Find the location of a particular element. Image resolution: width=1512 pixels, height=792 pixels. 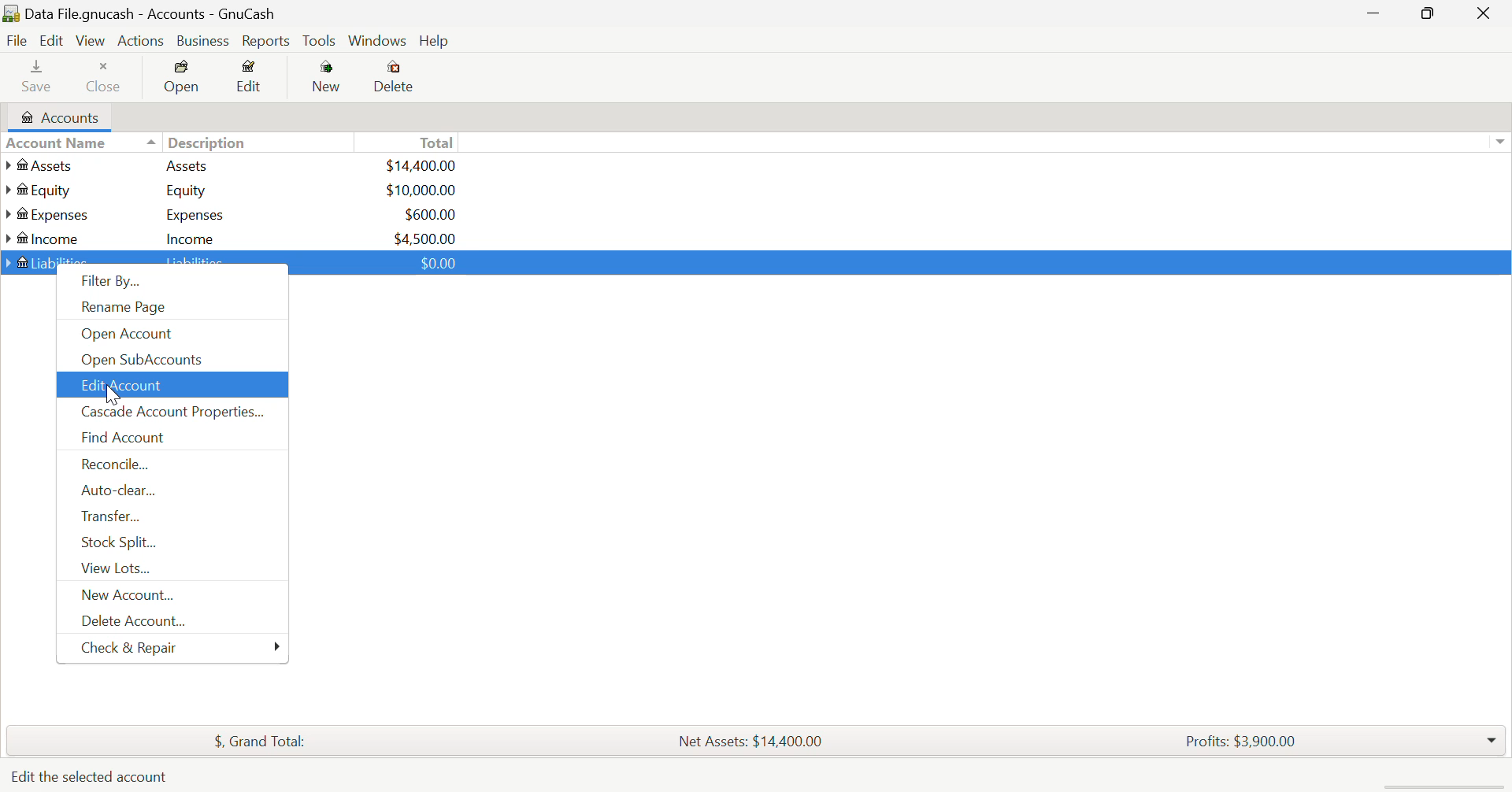

Save is located at coordinates (30, 79).